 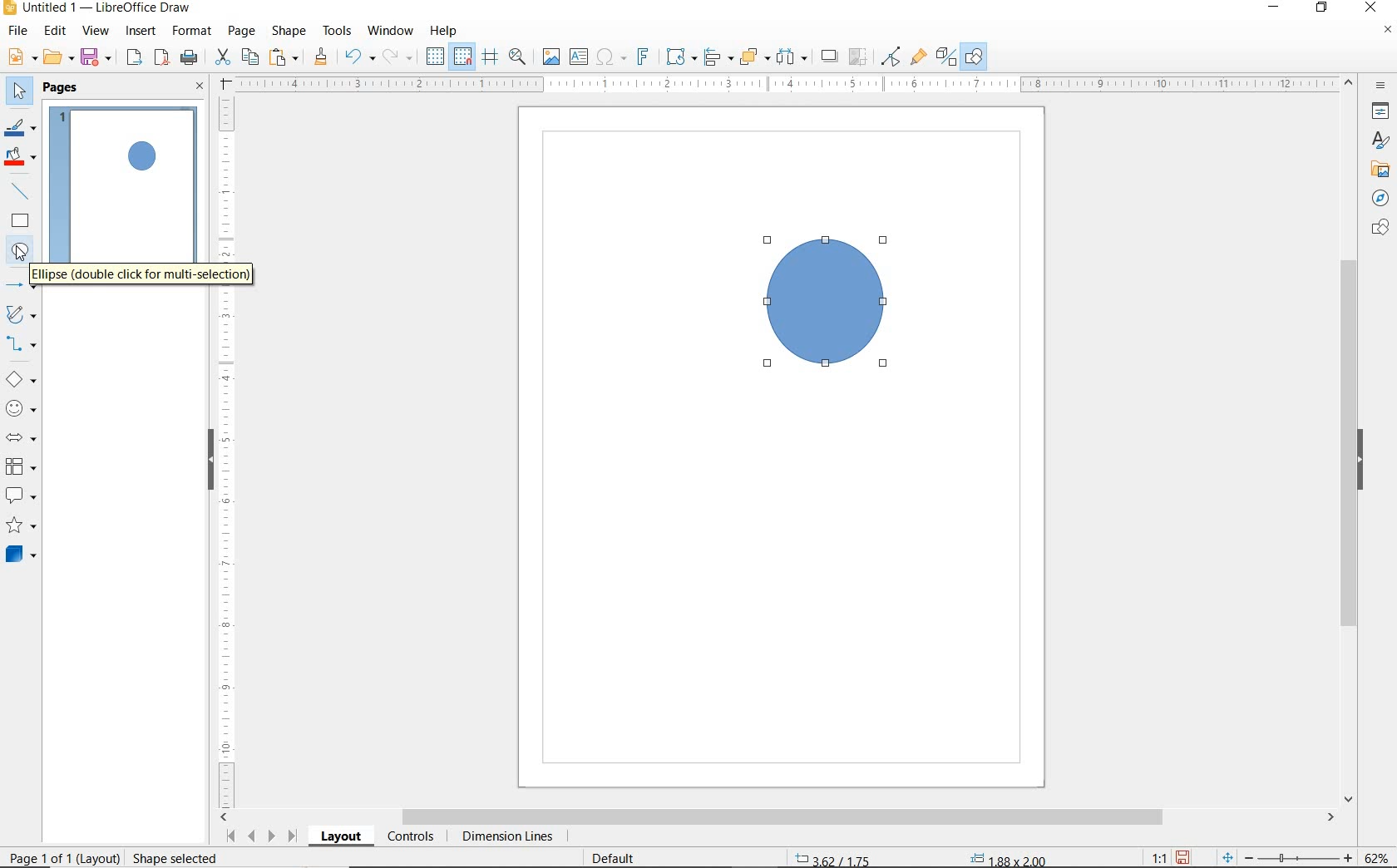 What do you see at coordinates (124, 195) in the screenshot?
I see `PAGE 1` at bounding box center [124, 195].